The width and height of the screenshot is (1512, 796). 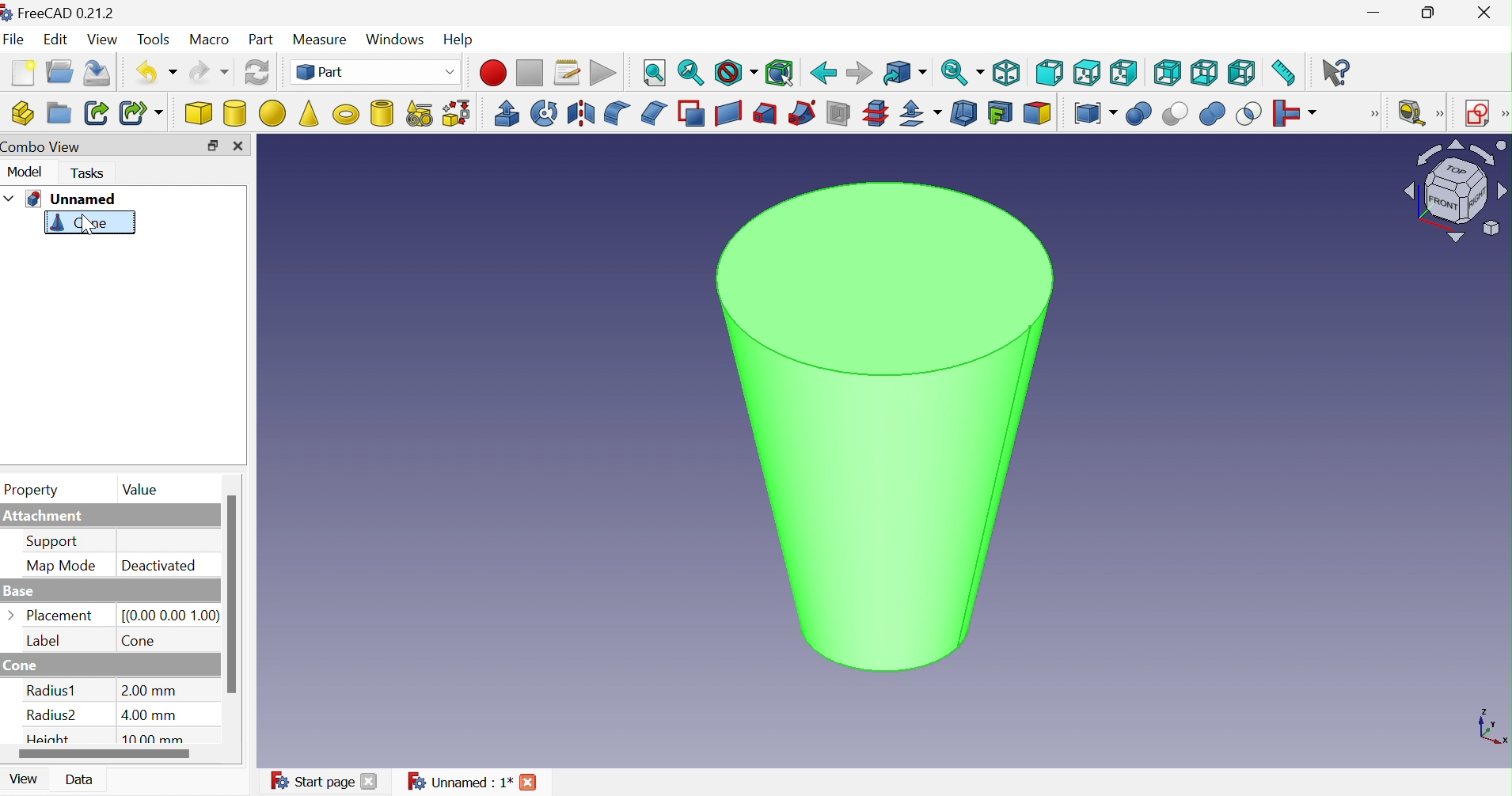 I want to click on Front, so click(x=1050, y=74).